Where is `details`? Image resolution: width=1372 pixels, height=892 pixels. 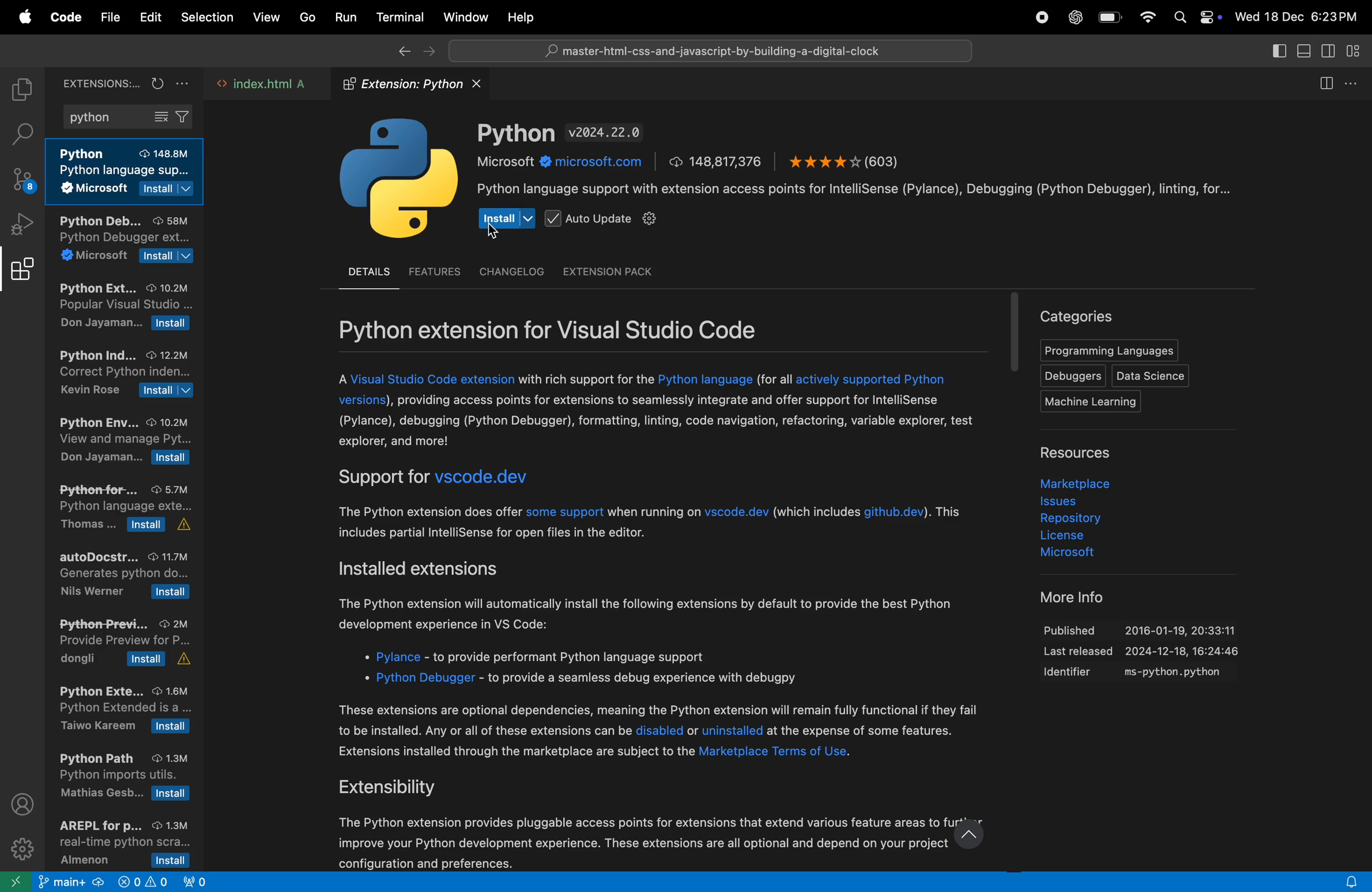 details is located at coordinates (367, 272).